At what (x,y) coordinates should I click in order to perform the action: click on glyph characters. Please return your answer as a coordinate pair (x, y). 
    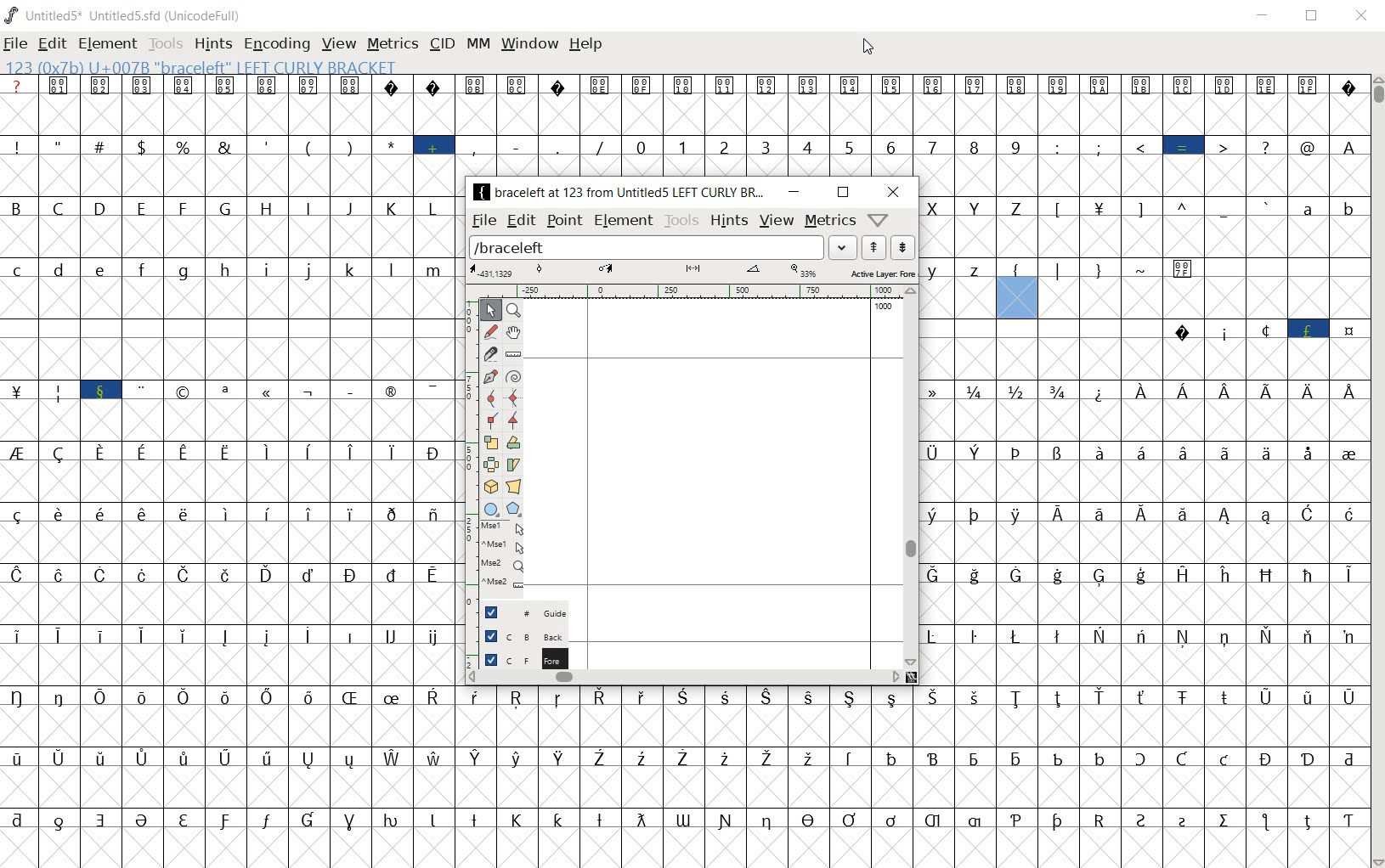
    Looking at the image, I should click on (911, 124).